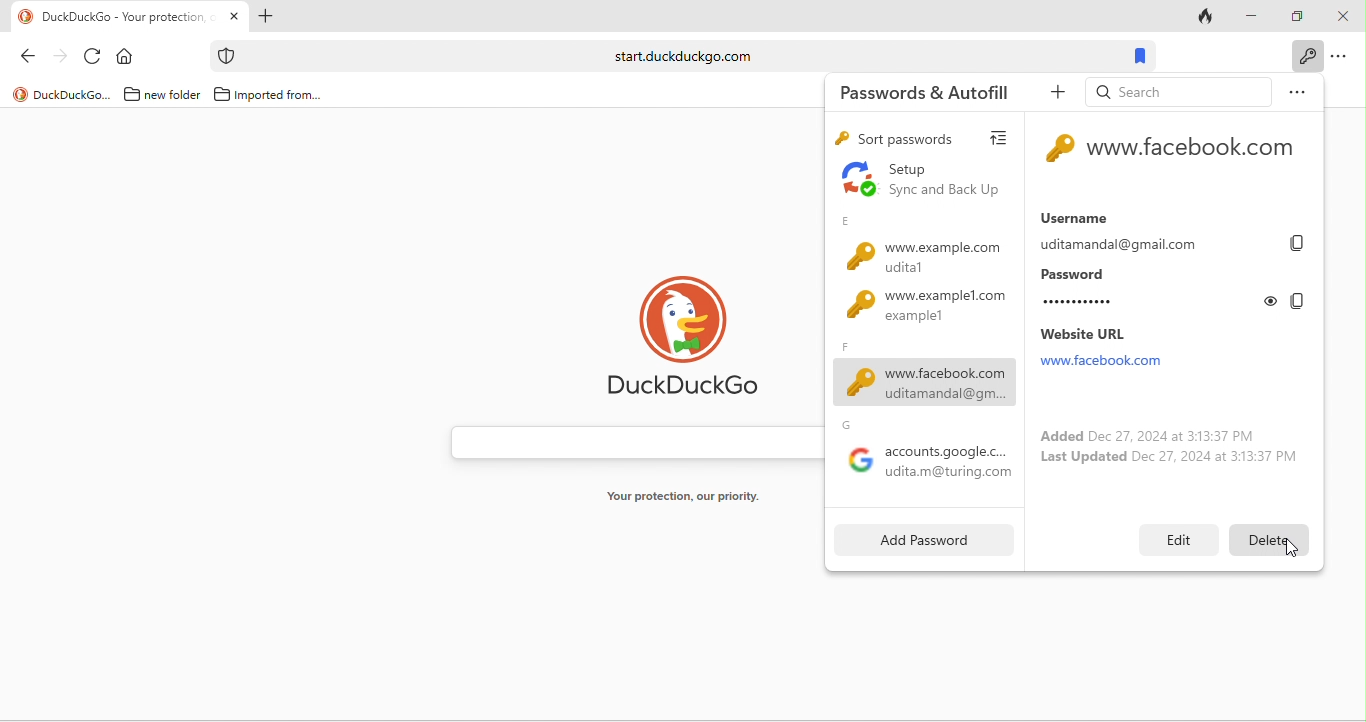 This screenshot has height=722, width=1366. What do you see at coordinates (694, 341) in the screenshot?
I see `duck duck go logo` at bounding box center [694, 341].